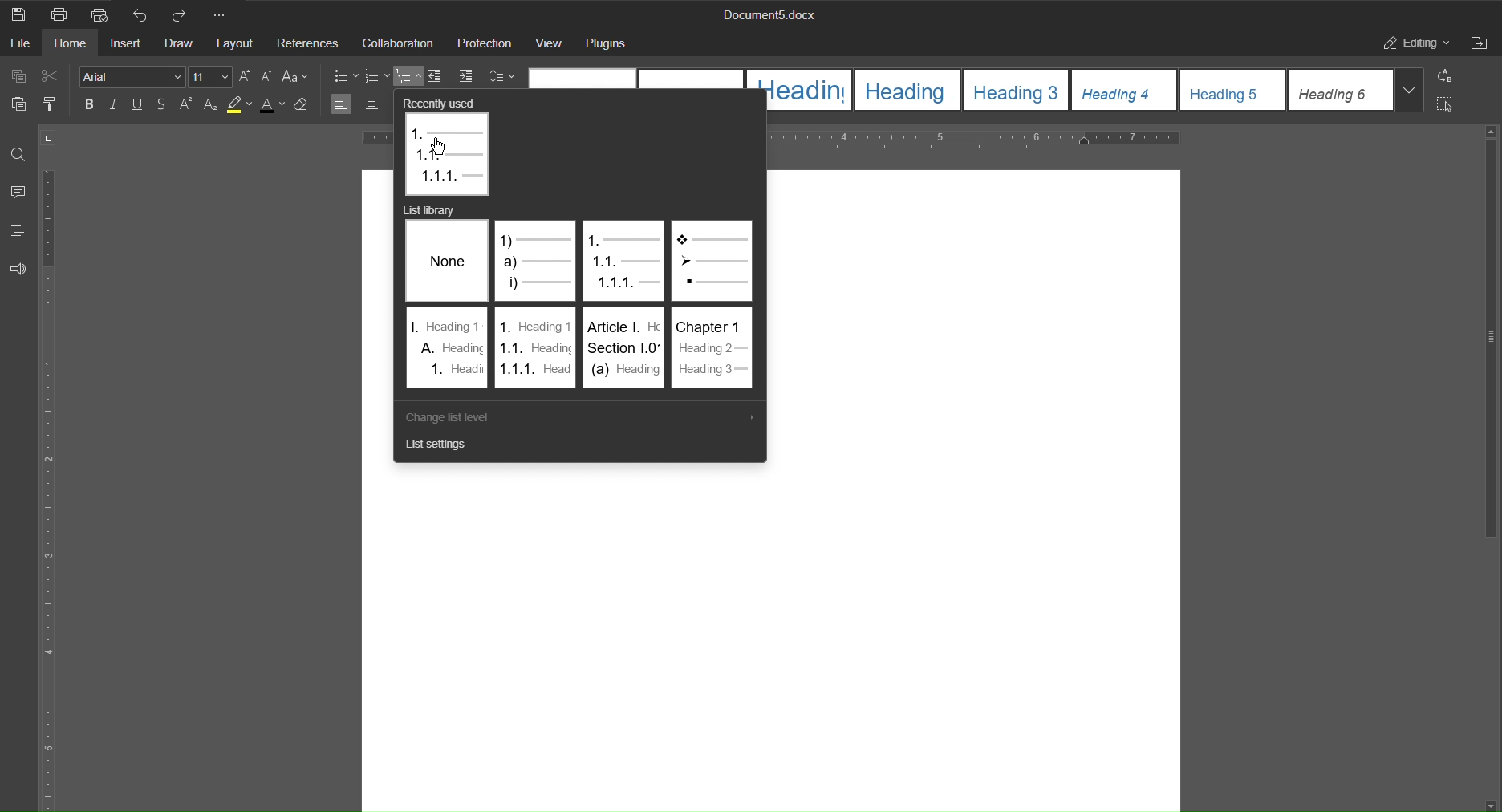 The width and height of the screenshot is (1502, 812). What do you see at coordinates (223, 14) in the screenshot?
I see `More` at bounding box center [223, 14].